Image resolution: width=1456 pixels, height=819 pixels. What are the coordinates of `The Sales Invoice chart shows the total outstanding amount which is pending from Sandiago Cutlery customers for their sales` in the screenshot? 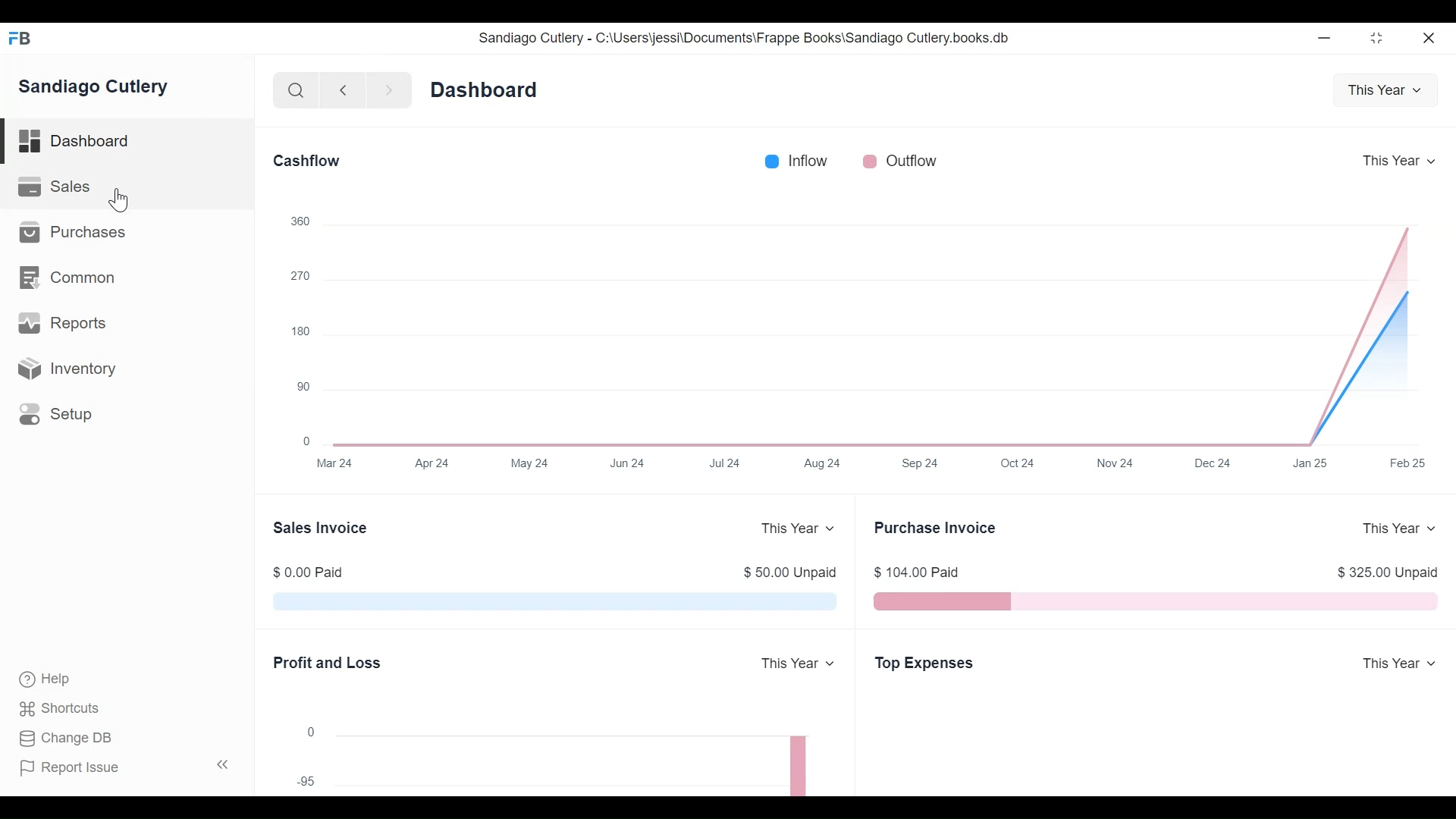 It's located at (553, 602).